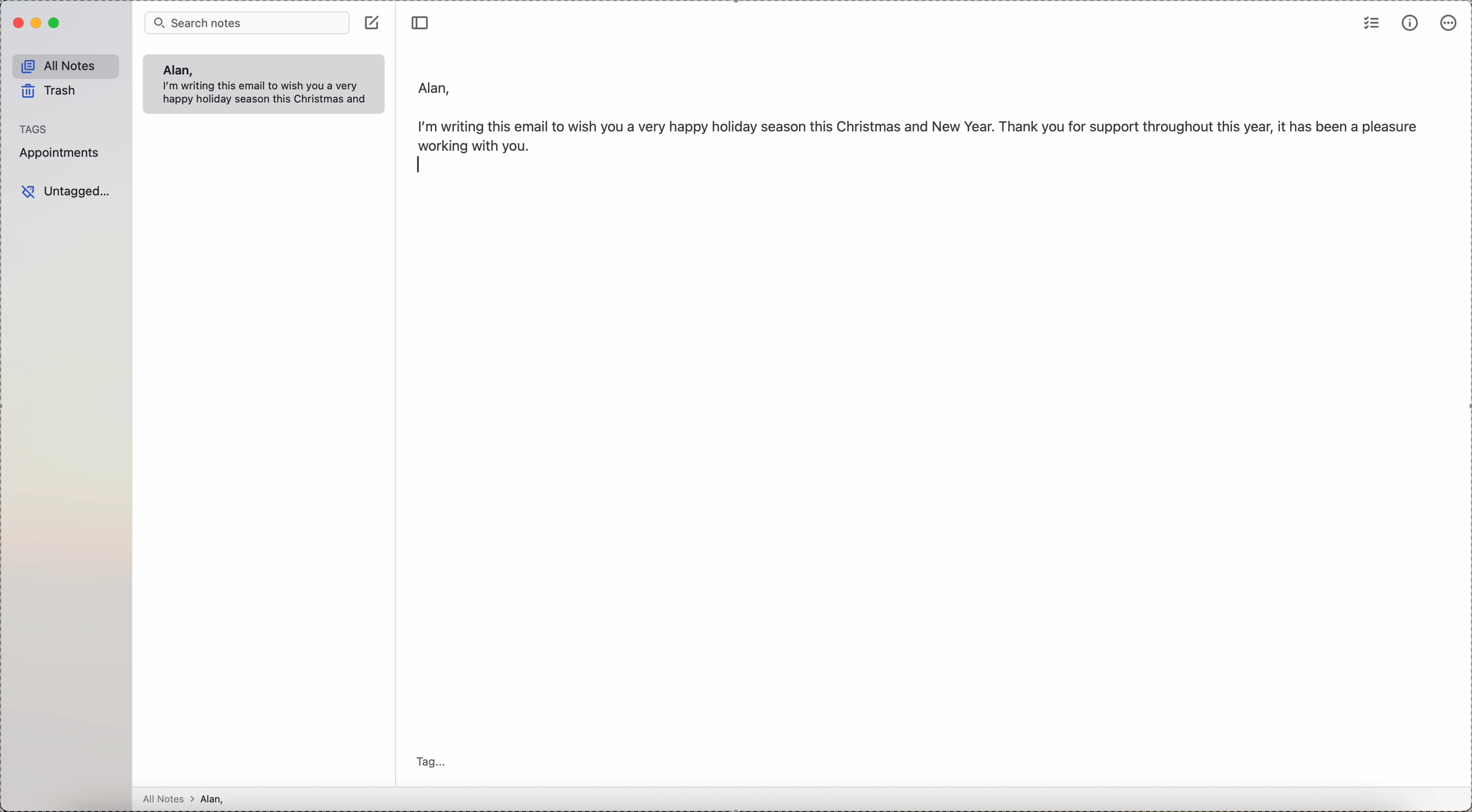  Describe the element at coordinates (177, 70) in the screenshot. I see `Alan,` at that location.